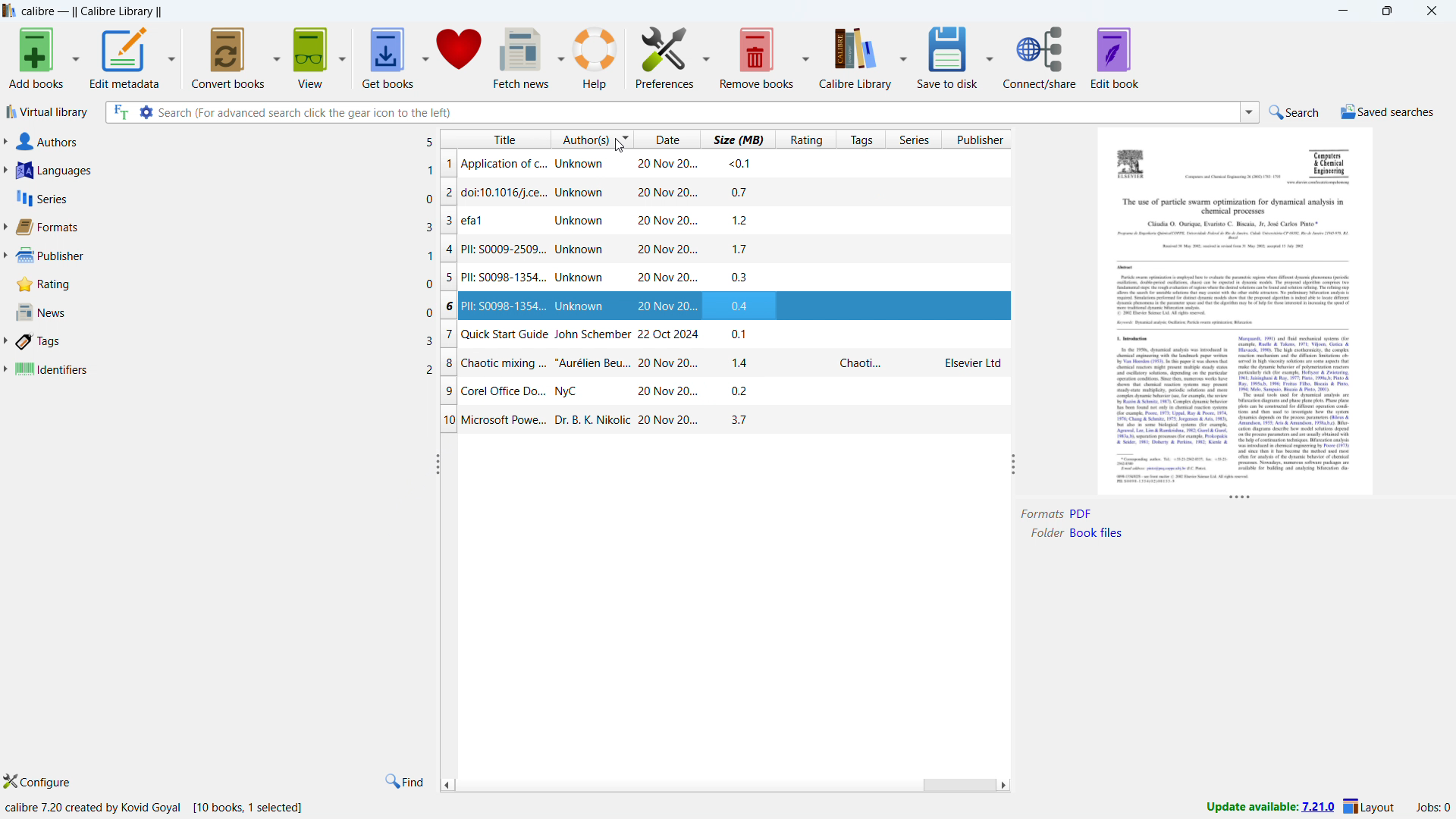  Describe the element at coordinates (93, 12) in the screenshot. I see `Calibre - || Calibre Library ||` at that location.